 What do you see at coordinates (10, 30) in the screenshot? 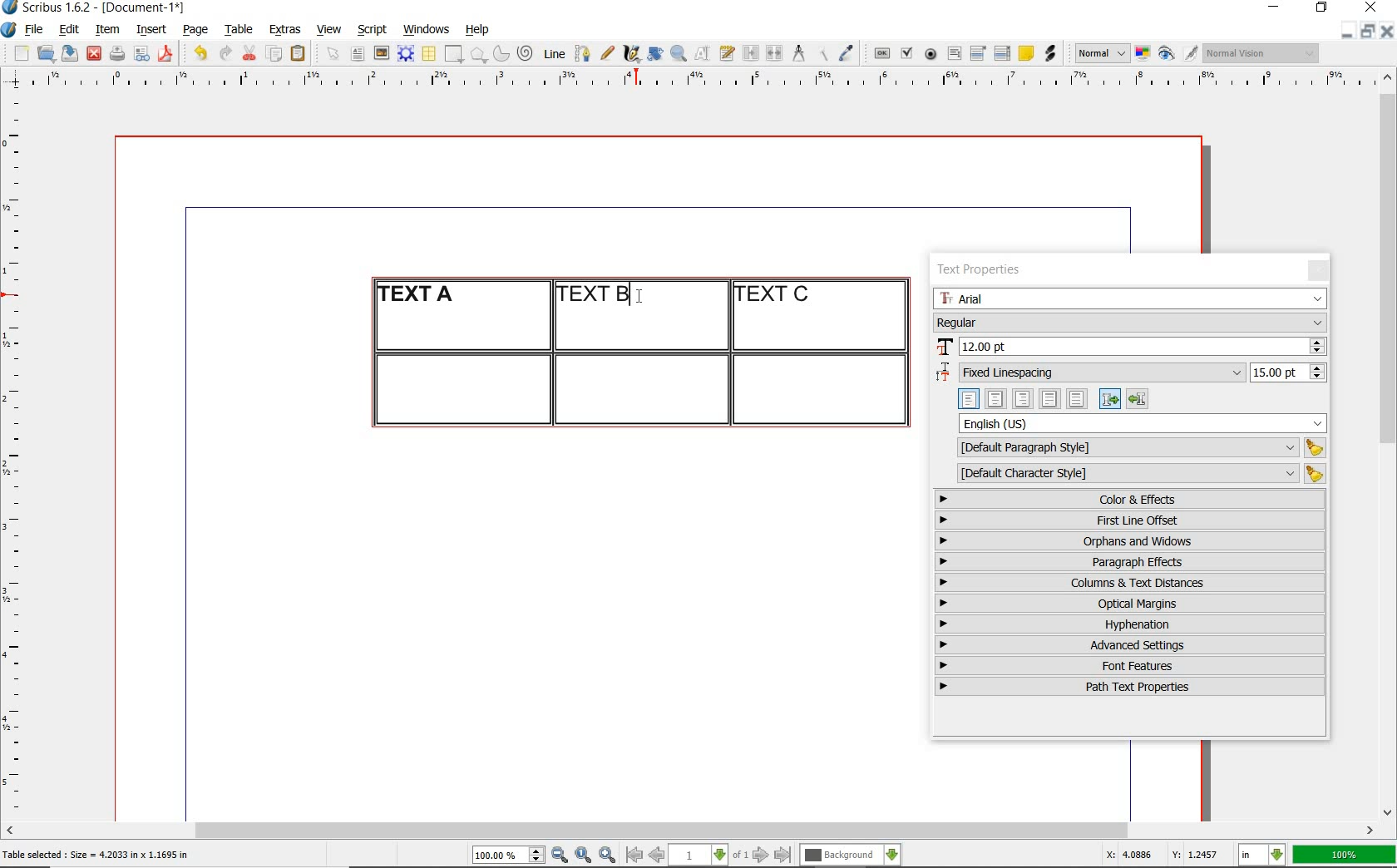
I see `system logo` at bounding box center [10, 30].